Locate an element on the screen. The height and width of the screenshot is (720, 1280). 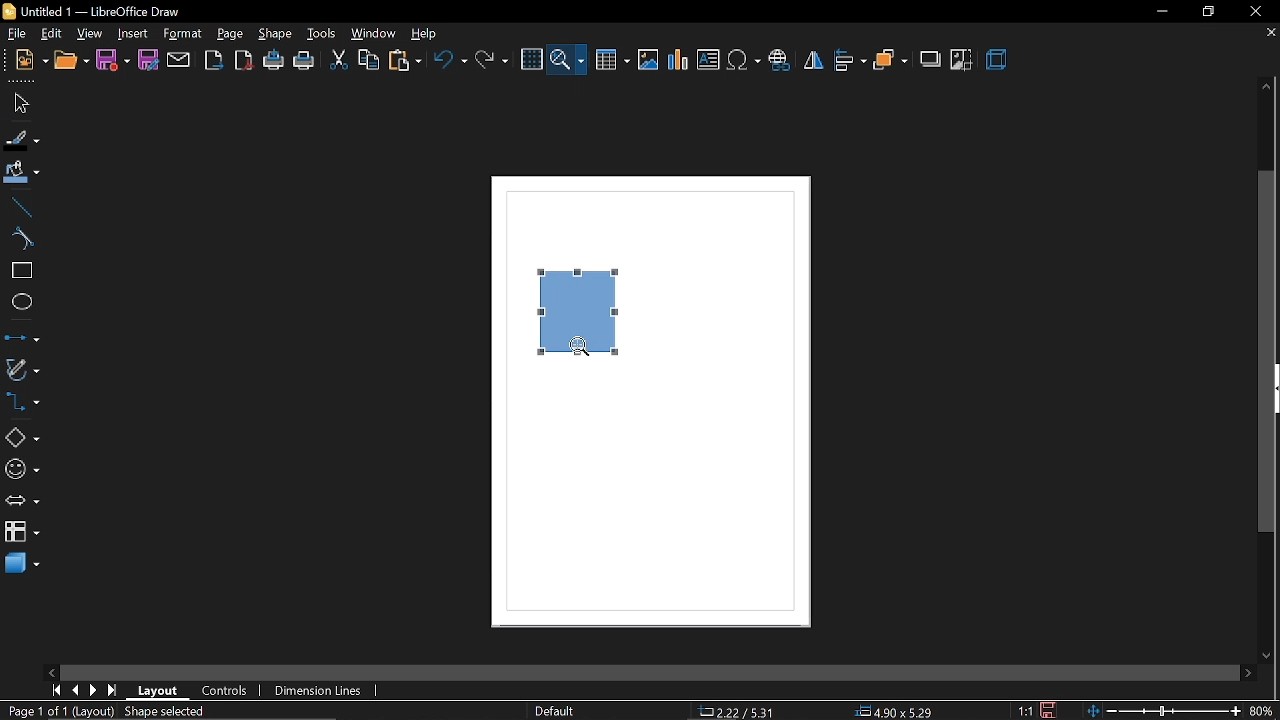
copy is located at coordinates (367, 61).